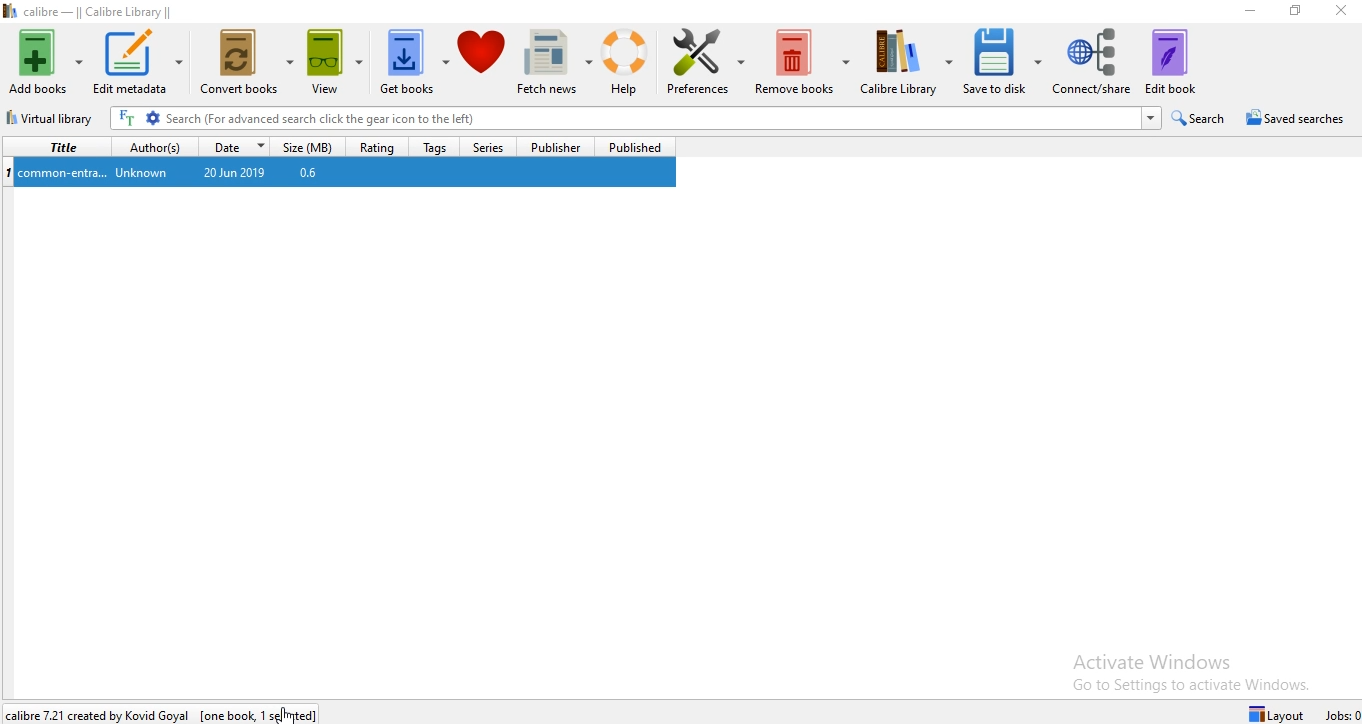 This screenshot has height=724, width=1362. I want to click on Connect/share, so click(1093, 60).